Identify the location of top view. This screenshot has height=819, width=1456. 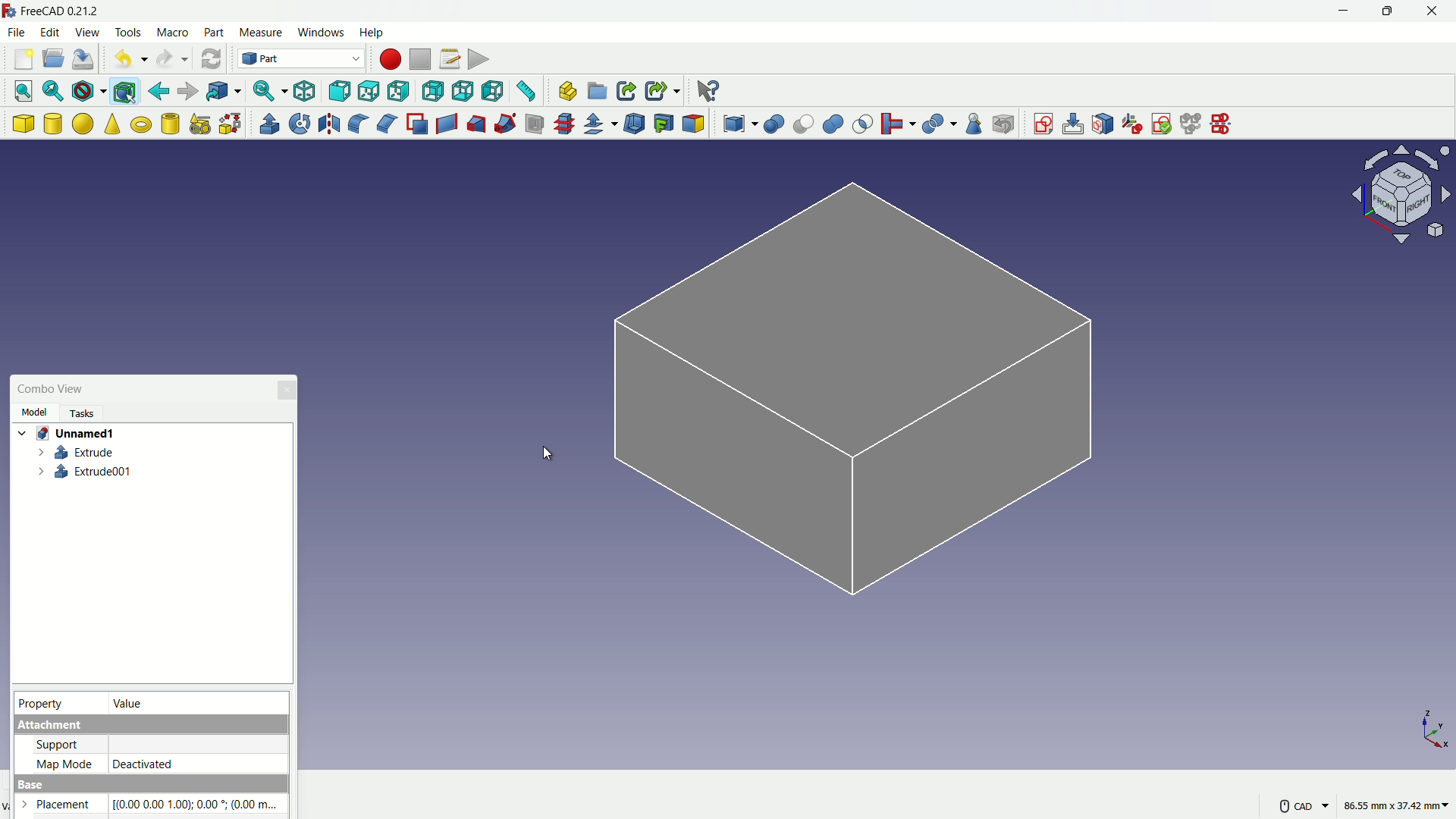
(368, 90).